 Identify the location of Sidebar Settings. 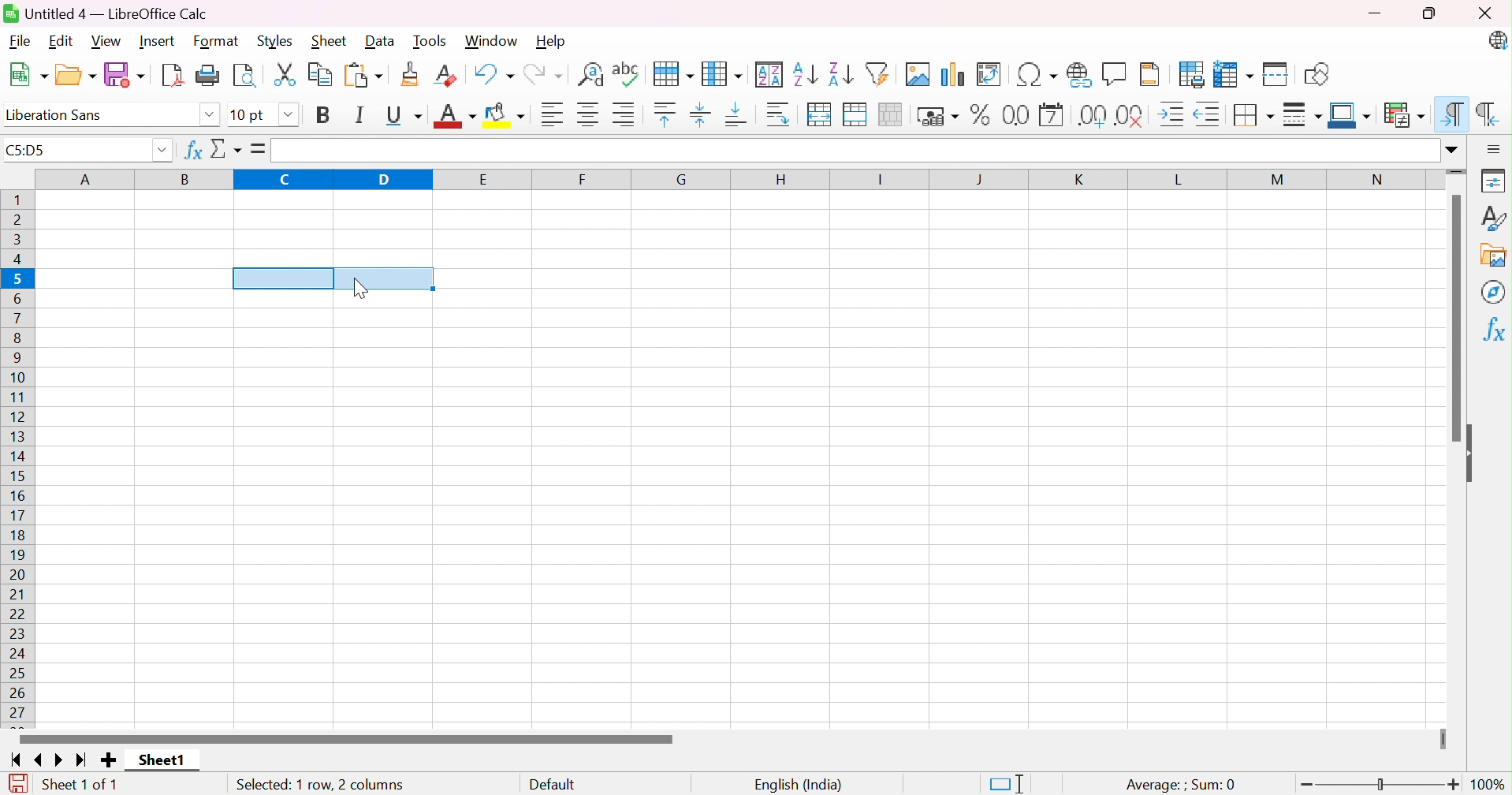
(1494, 148).